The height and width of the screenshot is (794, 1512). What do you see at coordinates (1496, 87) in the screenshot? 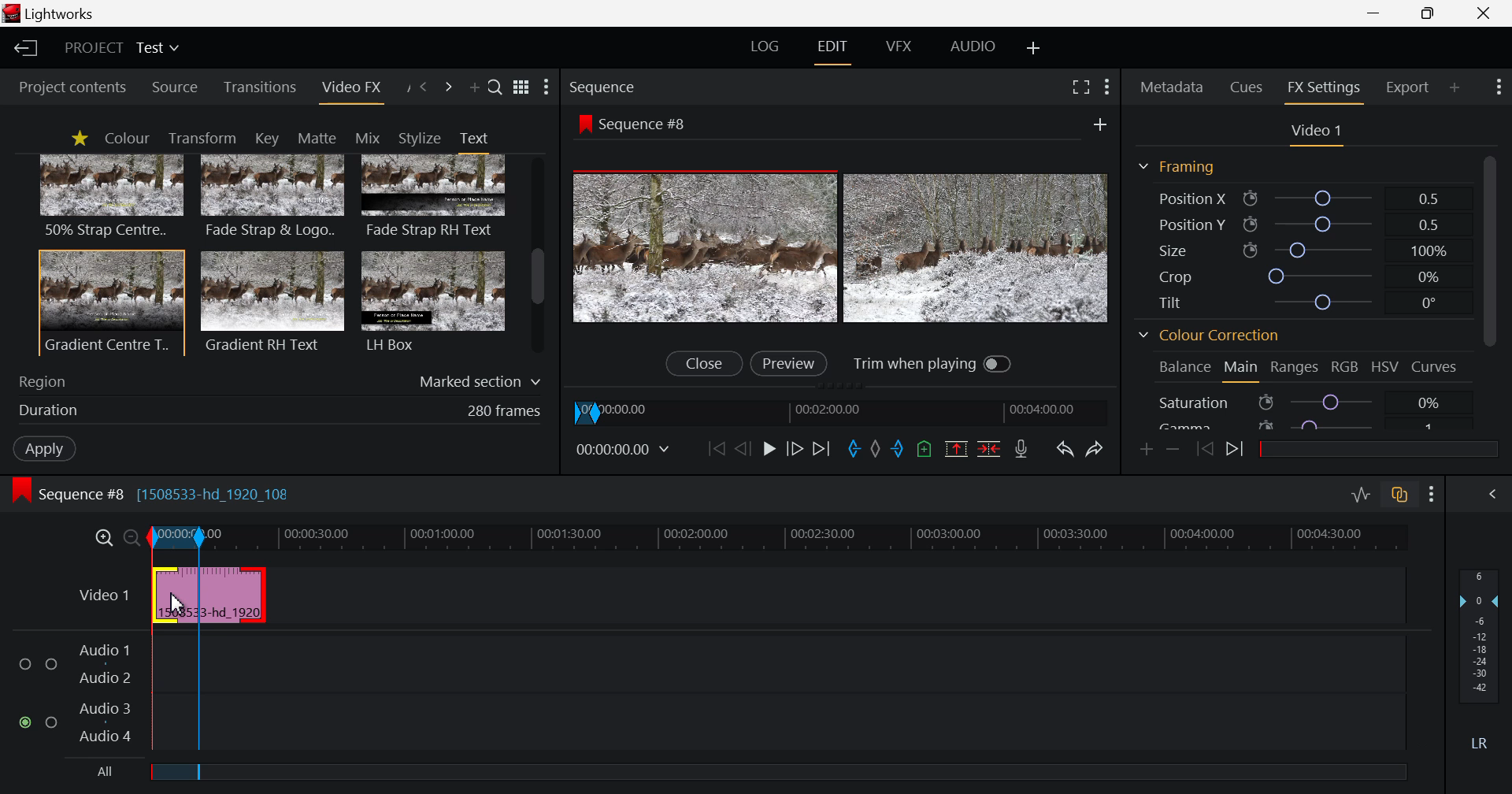
I see `Show Settings` at bounding box center [1496, 87].